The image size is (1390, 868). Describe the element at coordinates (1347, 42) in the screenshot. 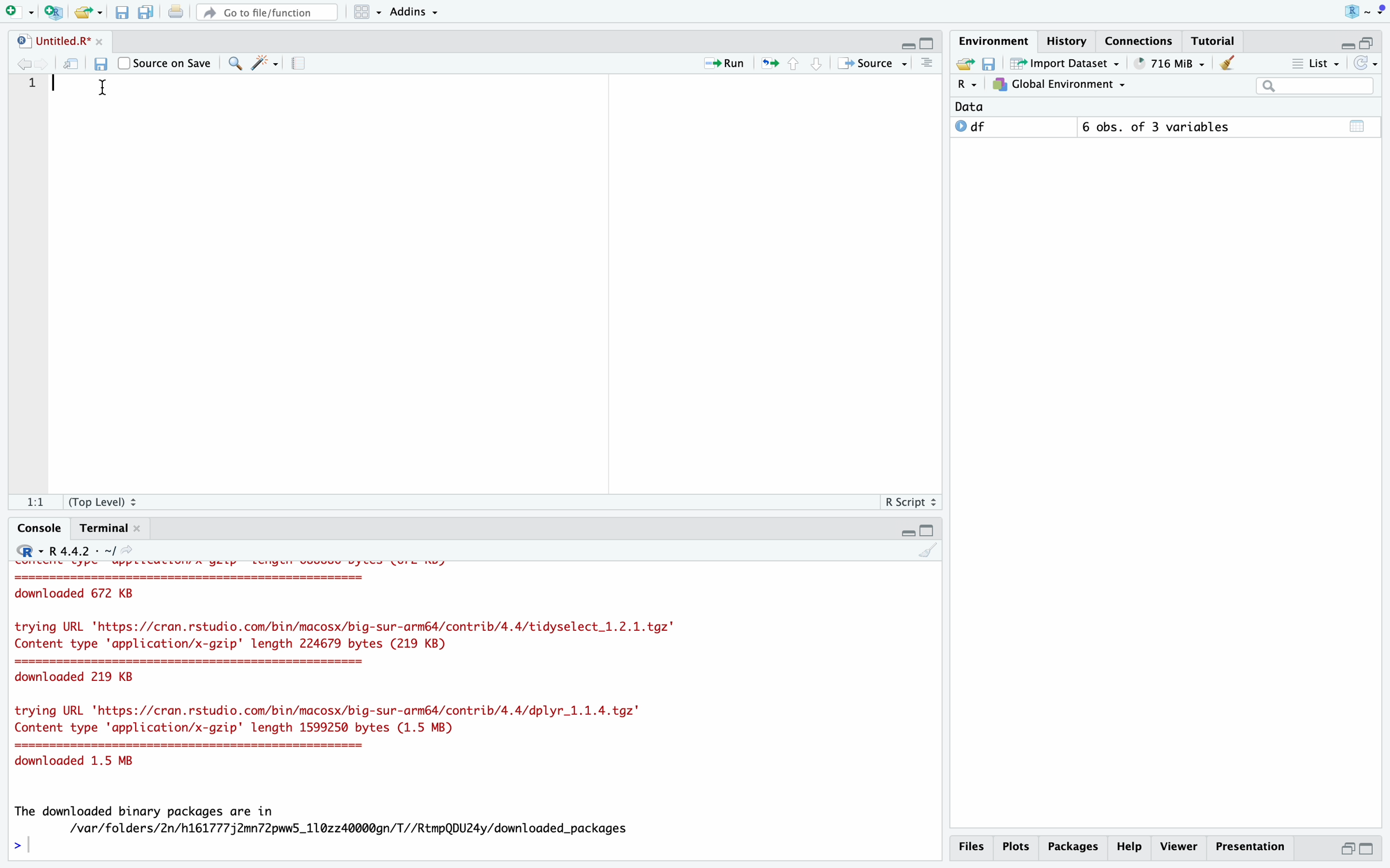

I see `Hide` at that location.